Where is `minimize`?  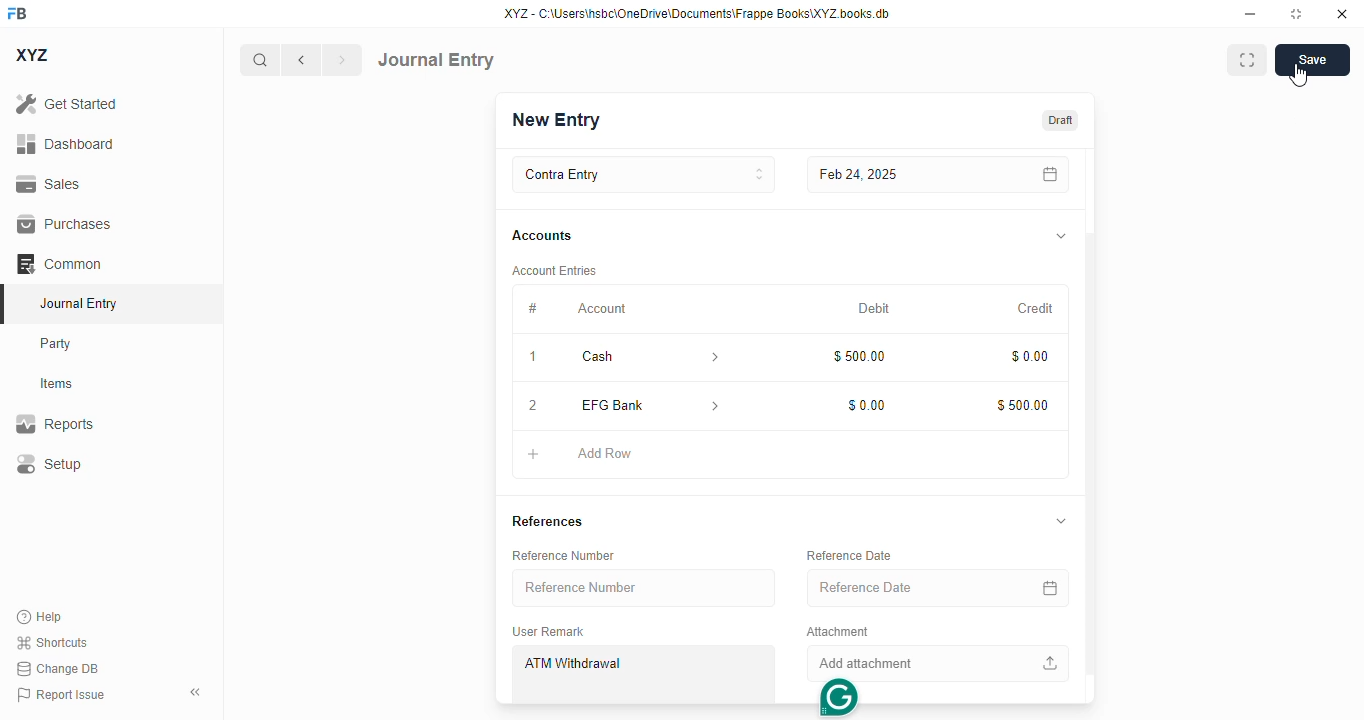 minimize is located at coordinates (1251, 14).